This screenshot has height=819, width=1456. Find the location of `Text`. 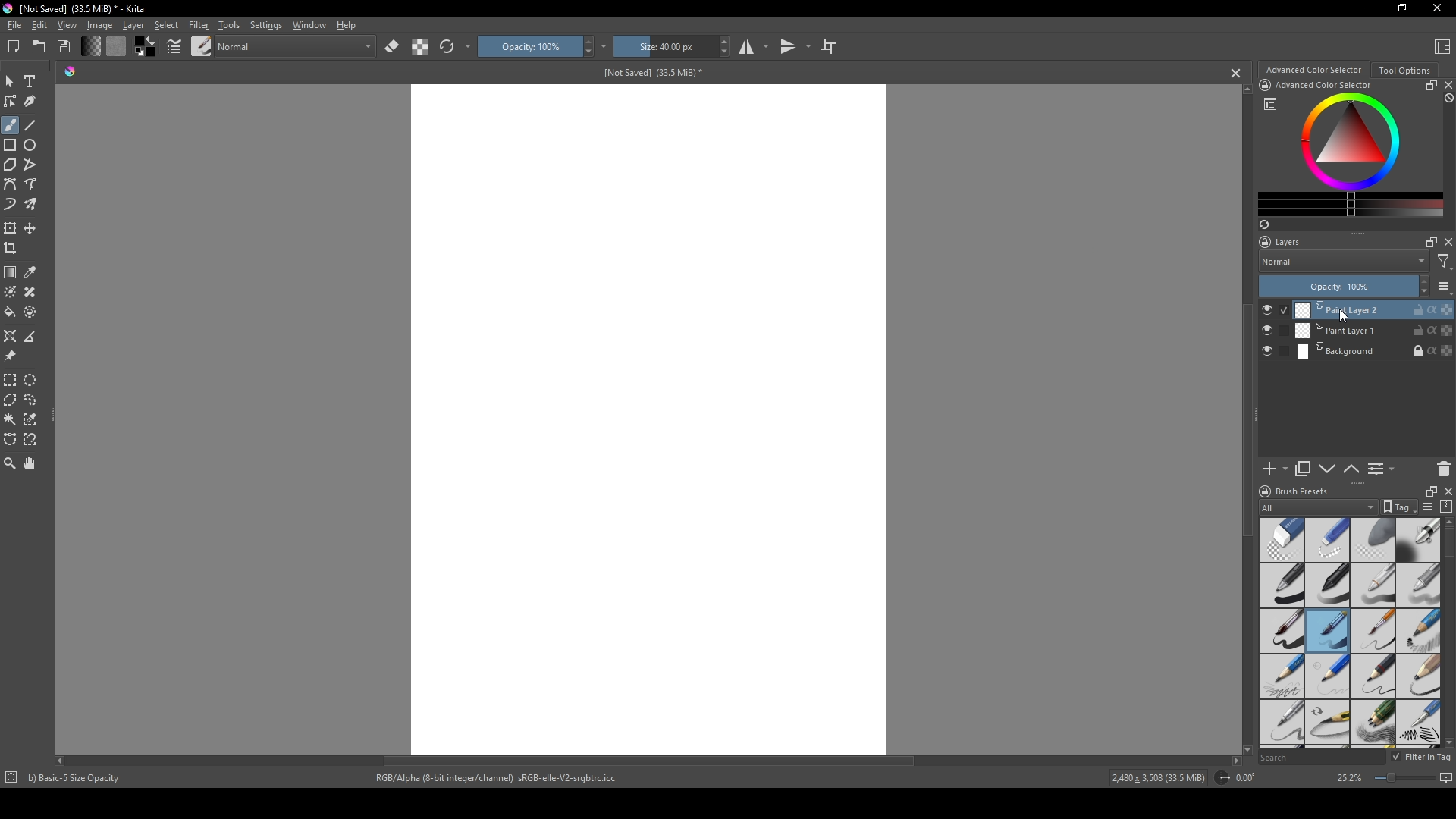

Text is located at coordinates (33, 83).